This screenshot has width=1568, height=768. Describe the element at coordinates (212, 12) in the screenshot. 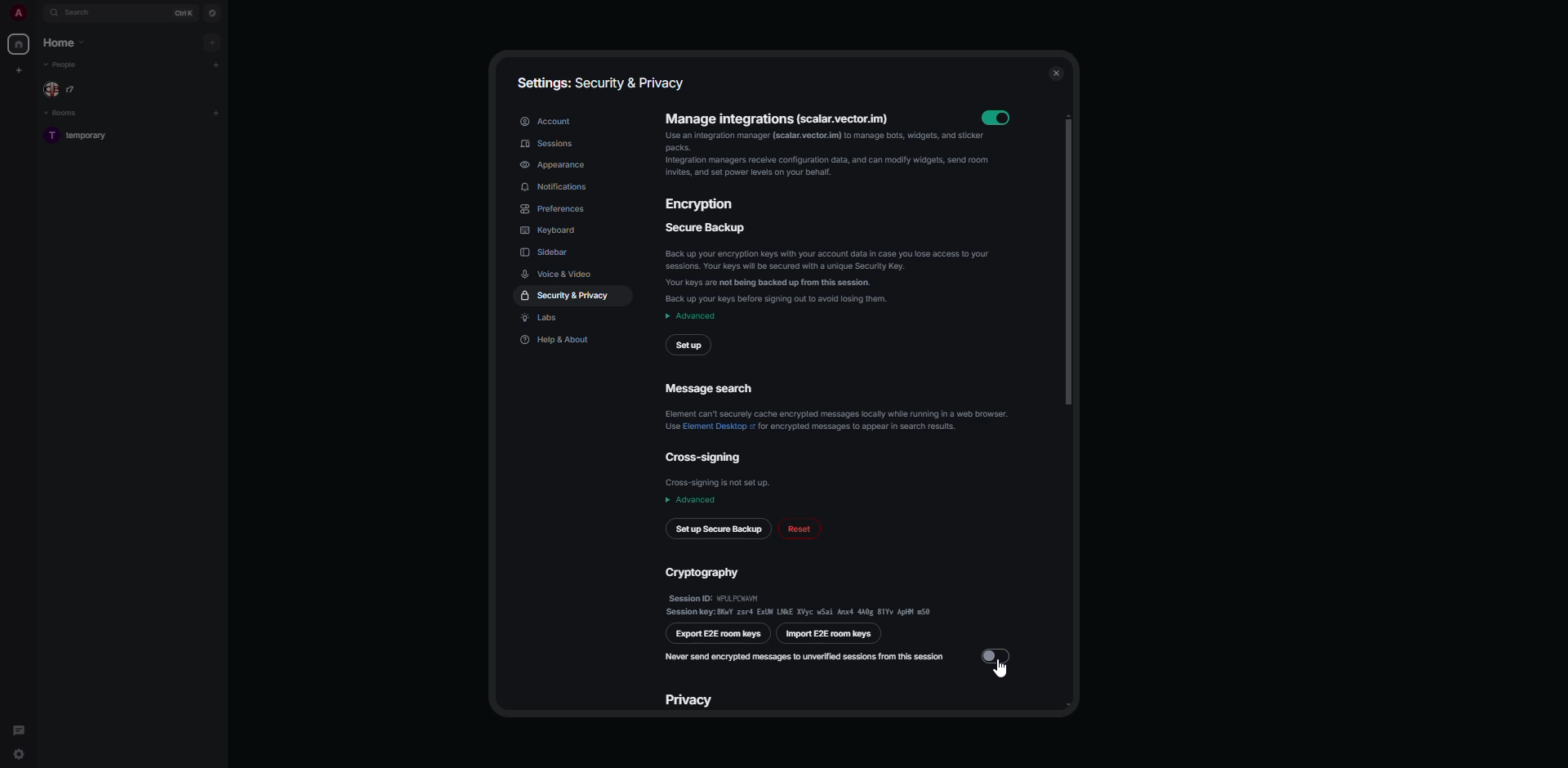

I see `navigator` at that location.